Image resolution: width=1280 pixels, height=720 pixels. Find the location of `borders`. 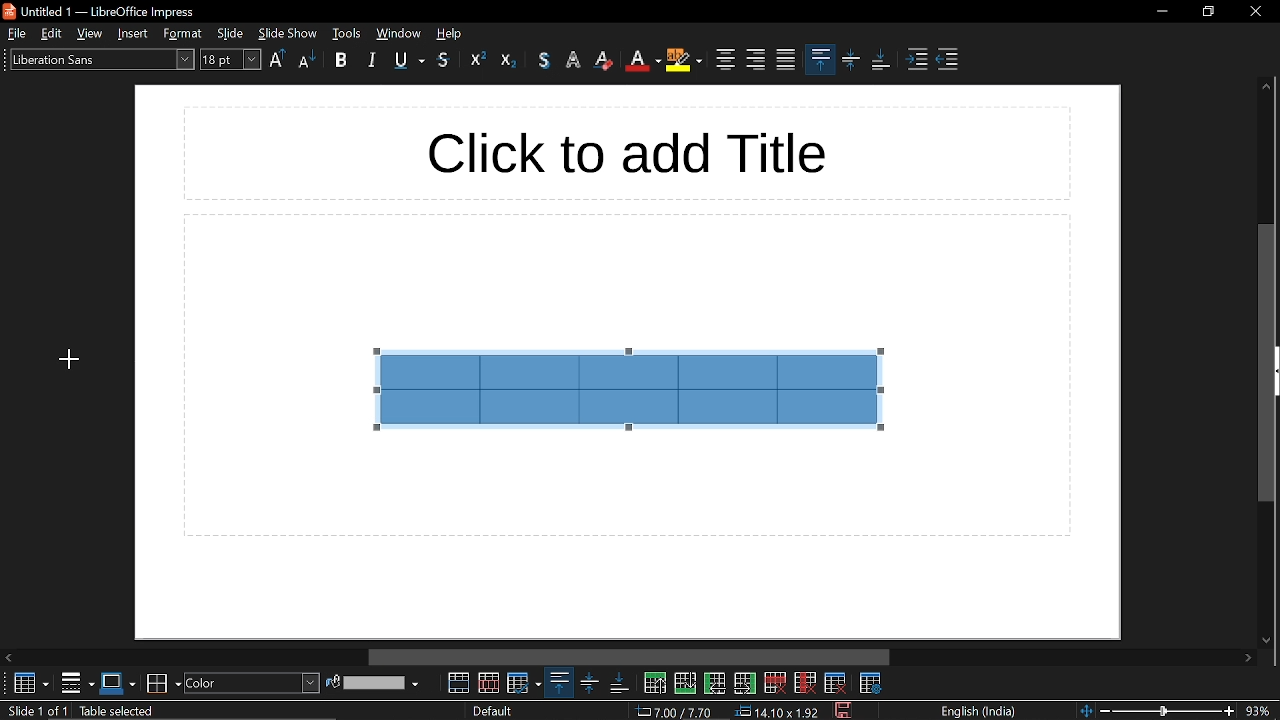

borders is located at coordinates (78, 683).